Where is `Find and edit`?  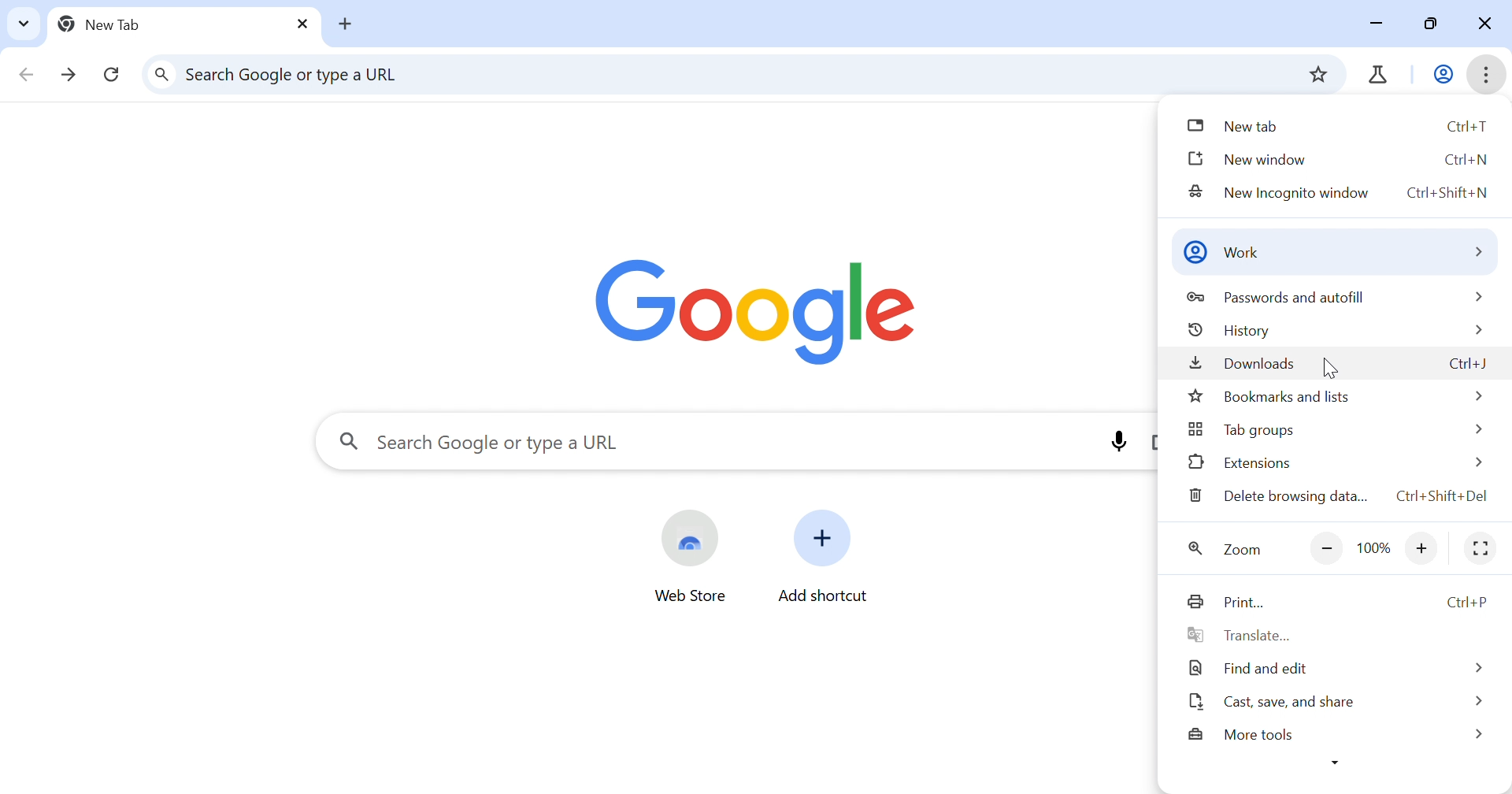 Find and edit is located at coordinates (1251, 669).